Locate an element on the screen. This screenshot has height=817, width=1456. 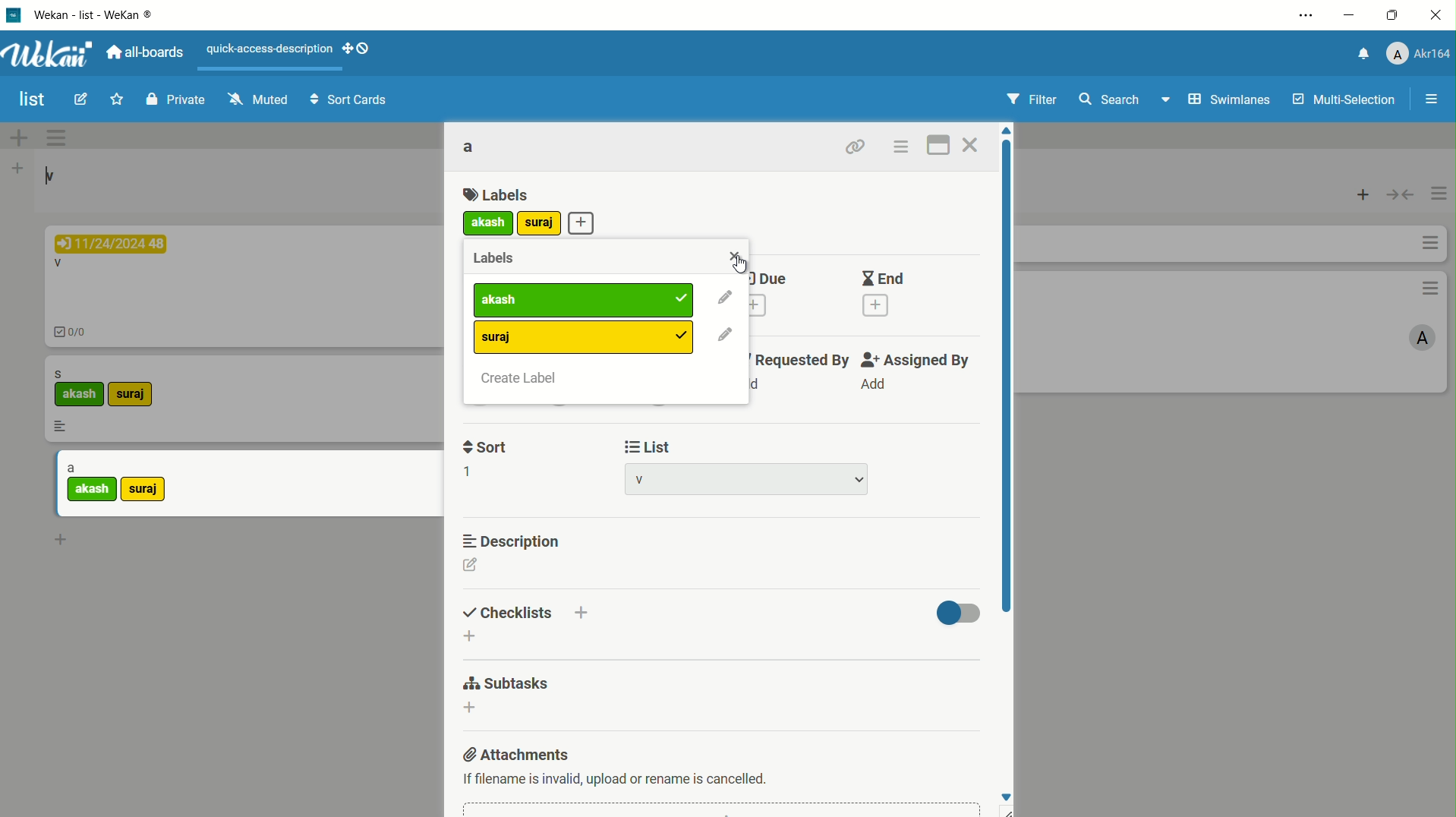
list is located at coordinates (649, 446).